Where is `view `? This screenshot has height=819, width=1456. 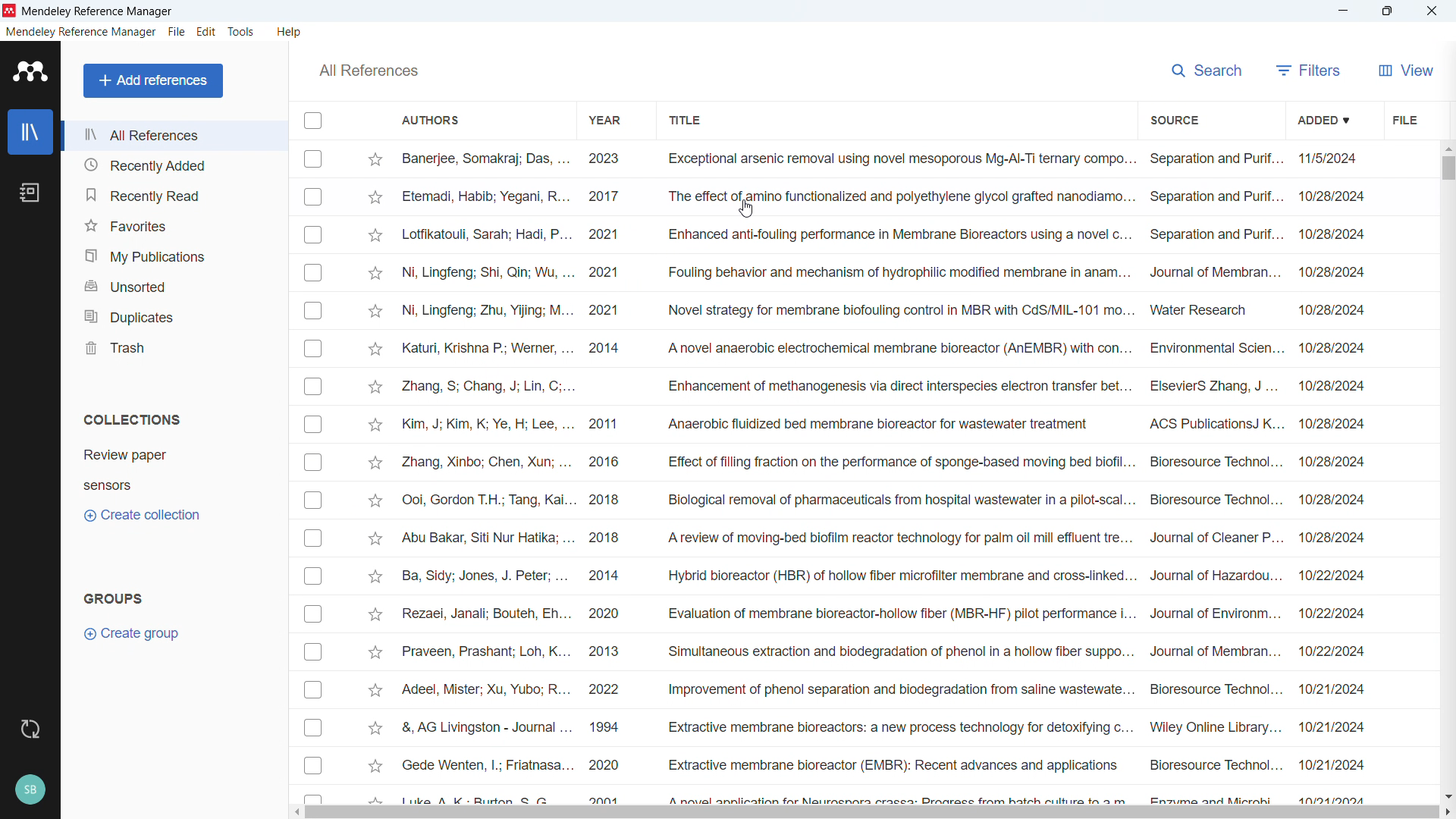
view  is located at coordinates (1406, 70).